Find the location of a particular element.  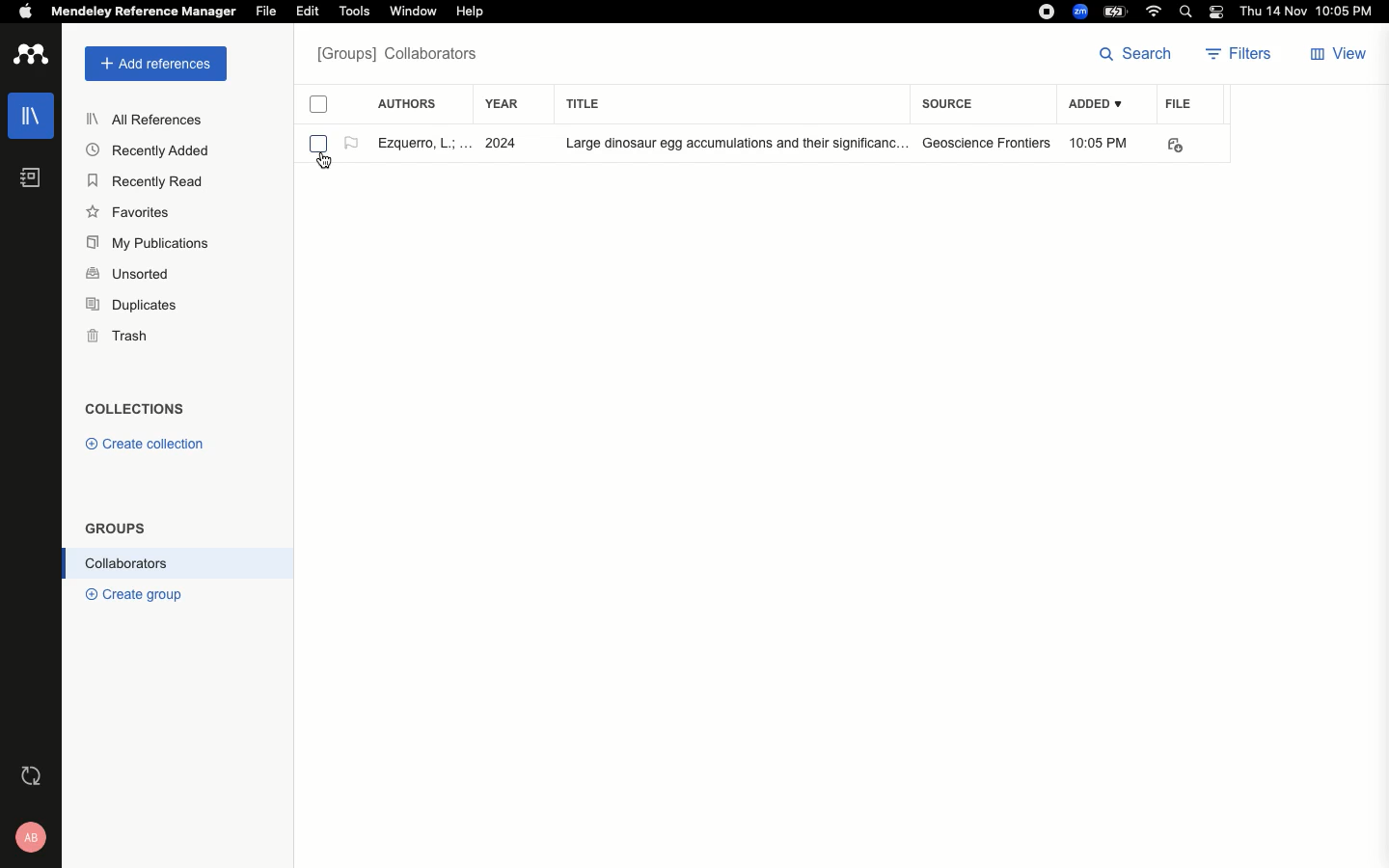

Mendeley reference manager is located at coordinates (145, 12).